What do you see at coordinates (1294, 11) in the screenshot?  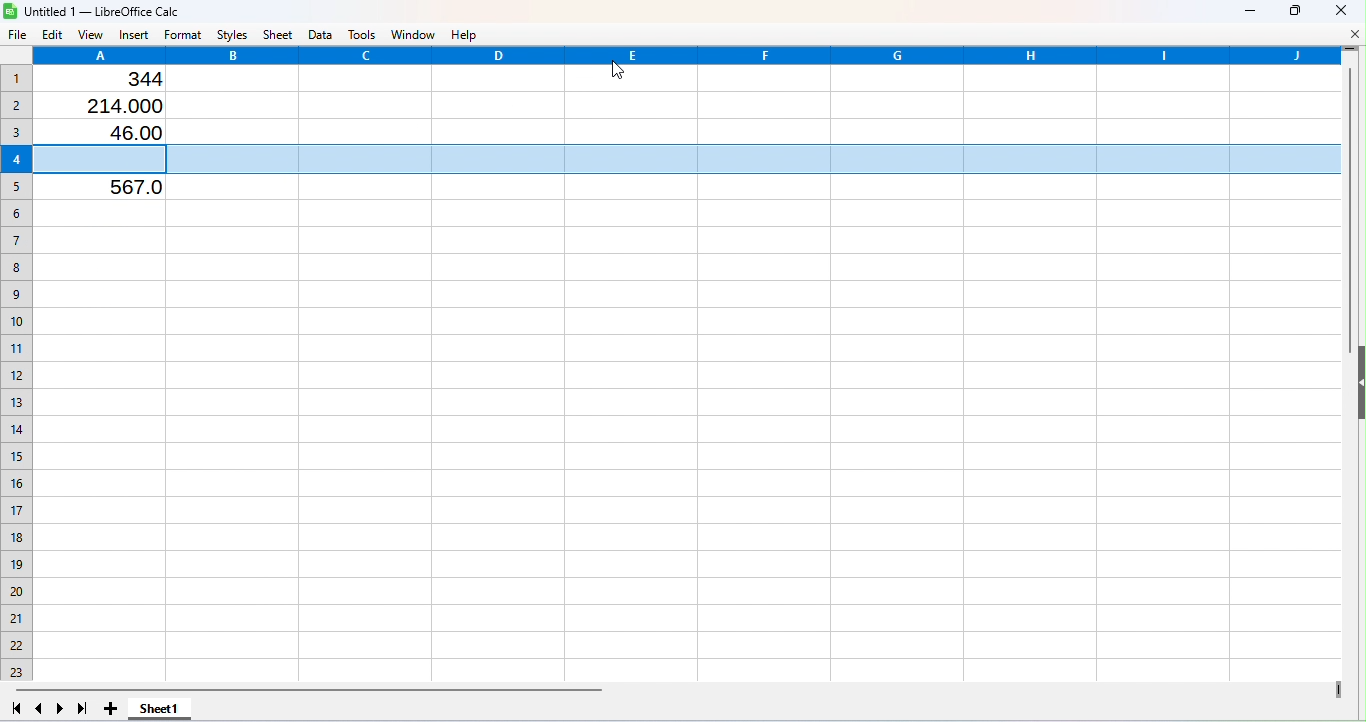 I see `Maximize` at bounding box center [1294, 11].